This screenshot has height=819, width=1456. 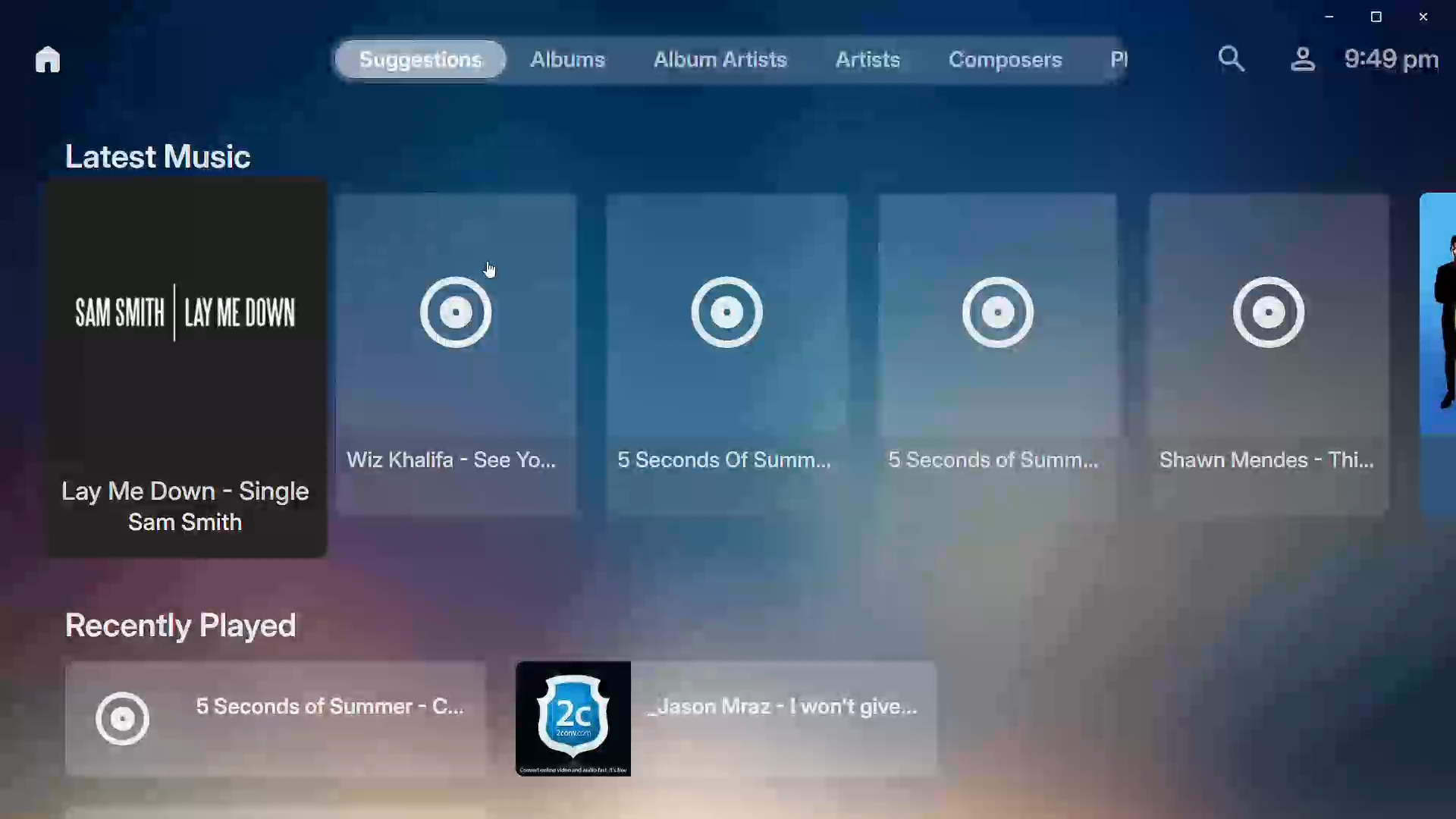 I want to click on Artists, so click(x=857, y=57).